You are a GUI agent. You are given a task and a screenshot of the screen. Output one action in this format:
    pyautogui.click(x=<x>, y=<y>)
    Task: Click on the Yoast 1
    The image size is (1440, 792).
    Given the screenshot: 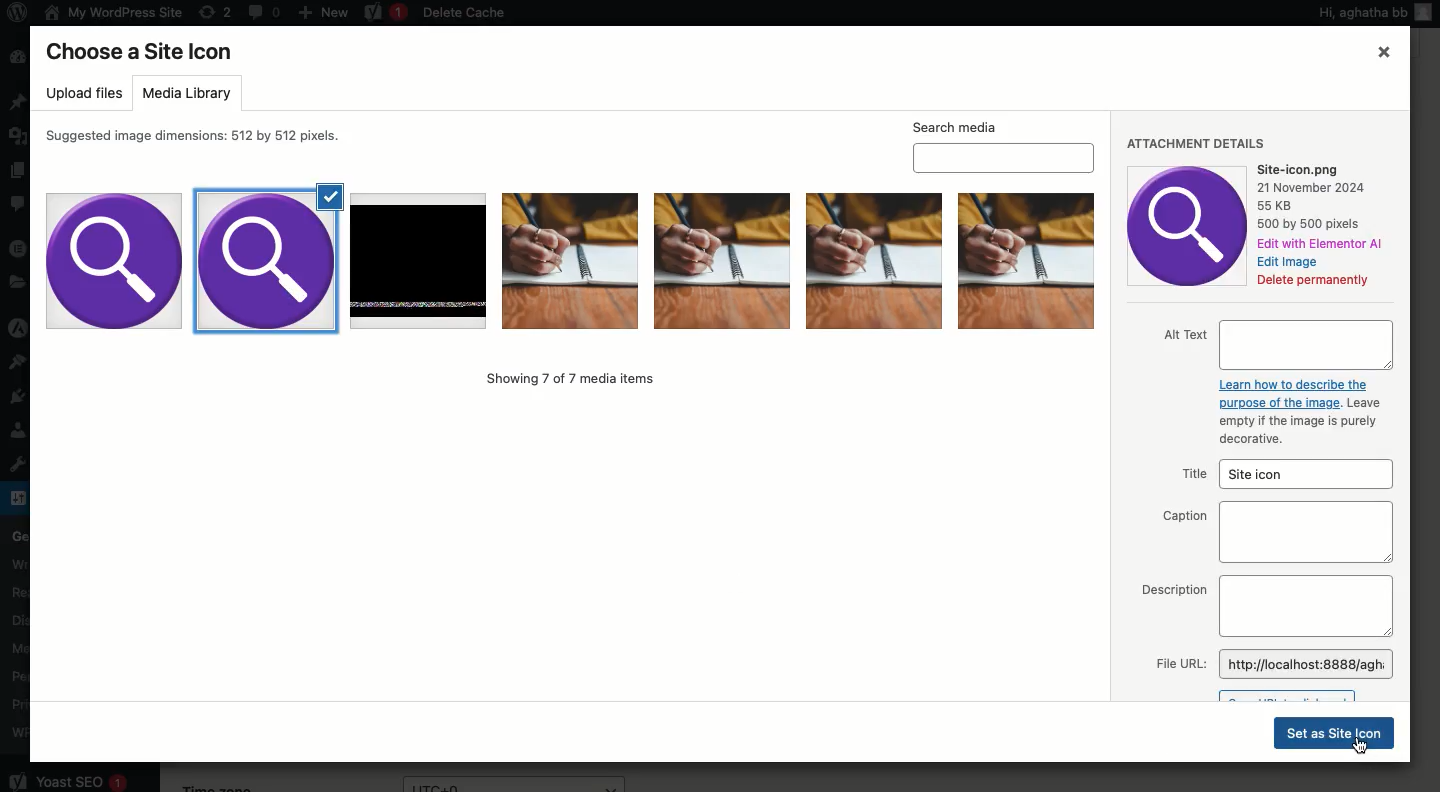 What is the action you would take?
    pyautogui.click(x=383, y=13)
    